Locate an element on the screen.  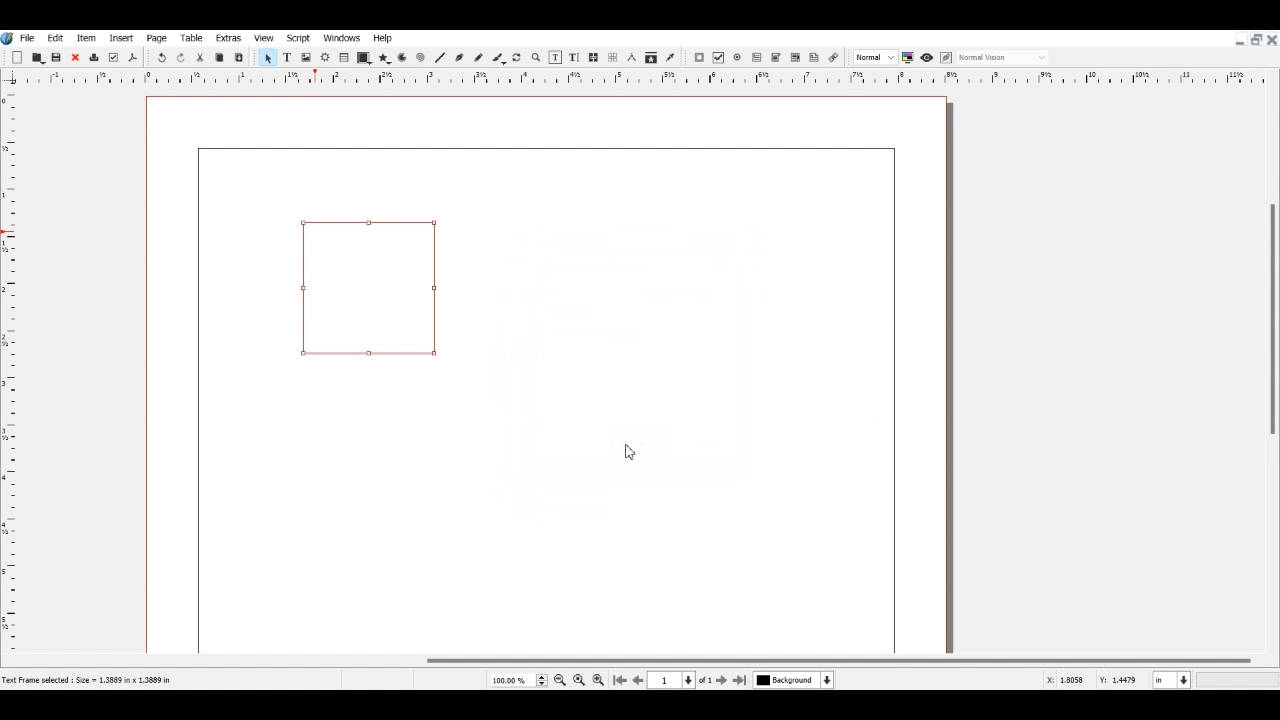
Copy item properties is located at coordinates (651, 59).